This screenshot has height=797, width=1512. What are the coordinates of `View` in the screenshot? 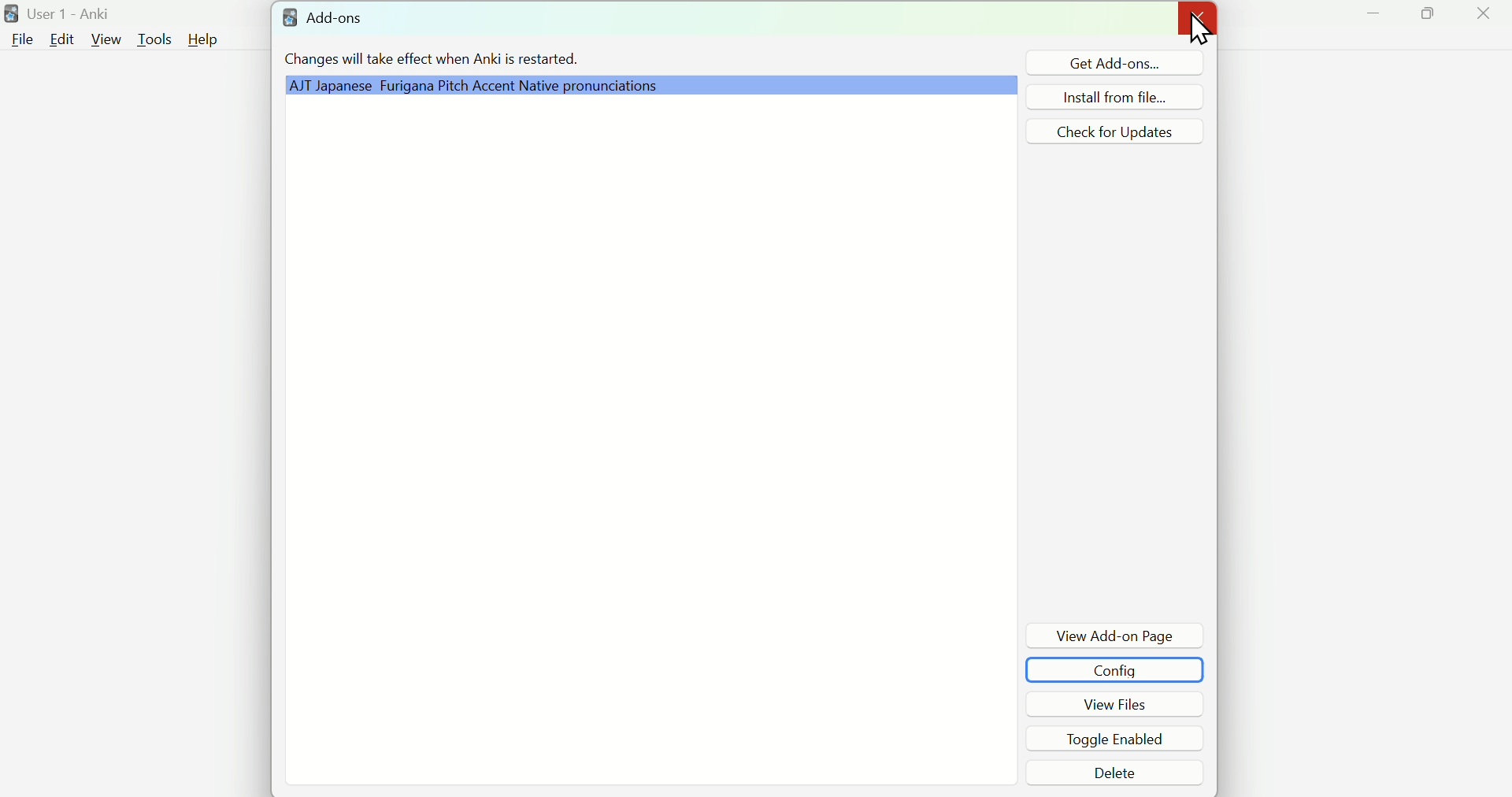 It's located at (103, 38).